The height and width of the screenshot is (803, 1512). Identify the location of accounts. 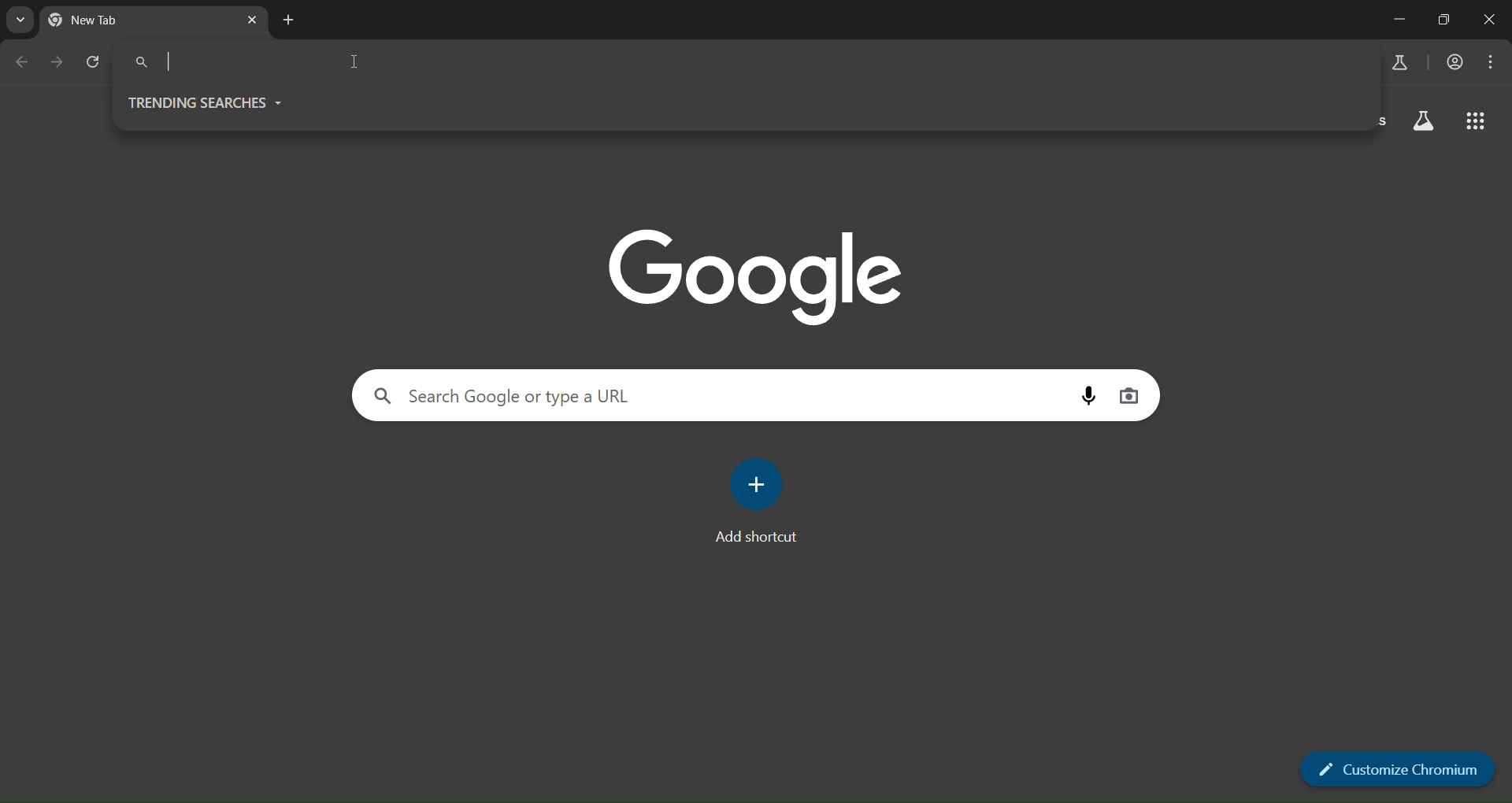
(1454, 62).